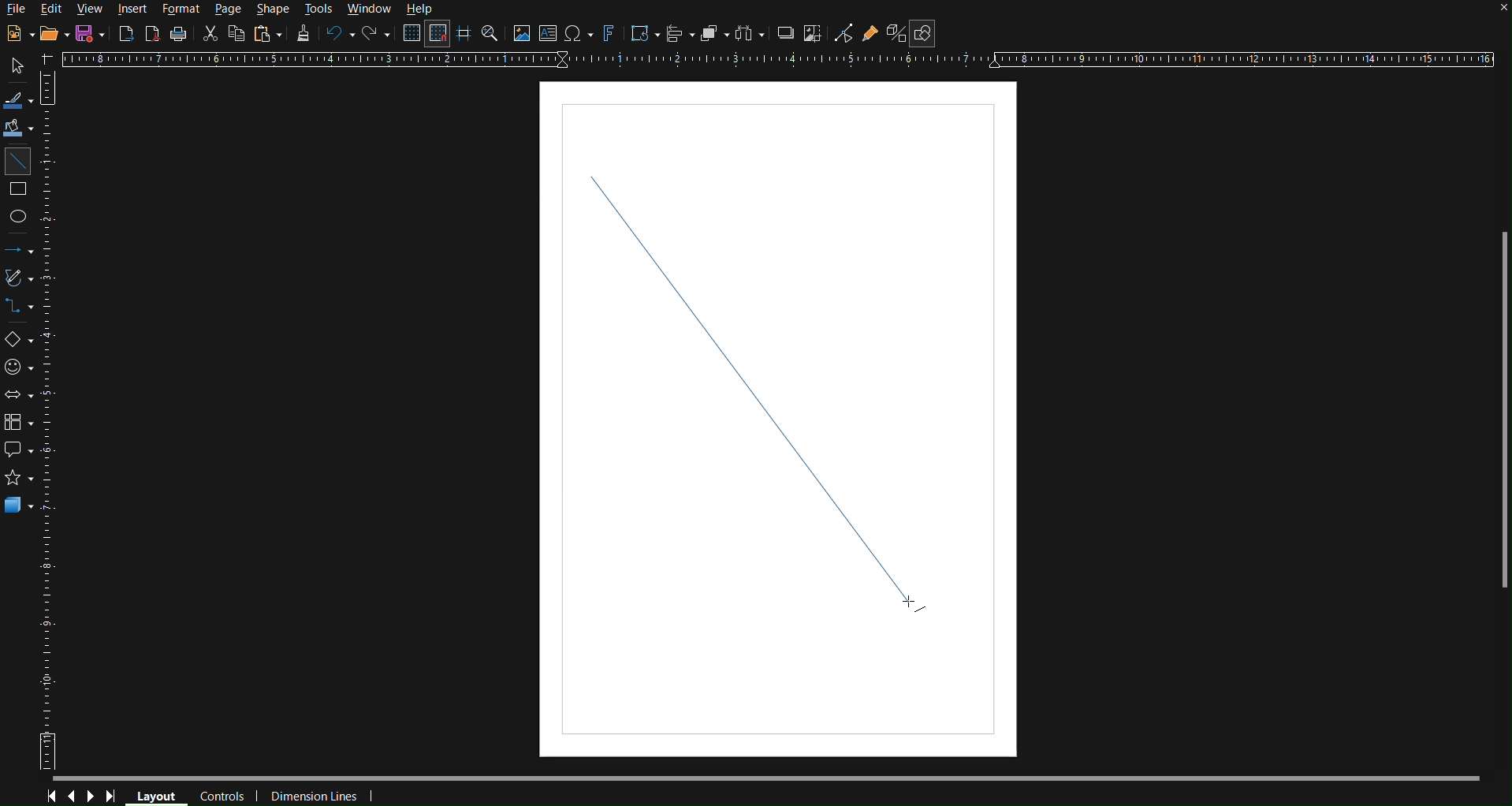 This screenshot has width=1512, height=806. What do you see at coordinates (20, 339) in the screenshot?
I see `Basic Shapes` at bounding box center [20, 339].